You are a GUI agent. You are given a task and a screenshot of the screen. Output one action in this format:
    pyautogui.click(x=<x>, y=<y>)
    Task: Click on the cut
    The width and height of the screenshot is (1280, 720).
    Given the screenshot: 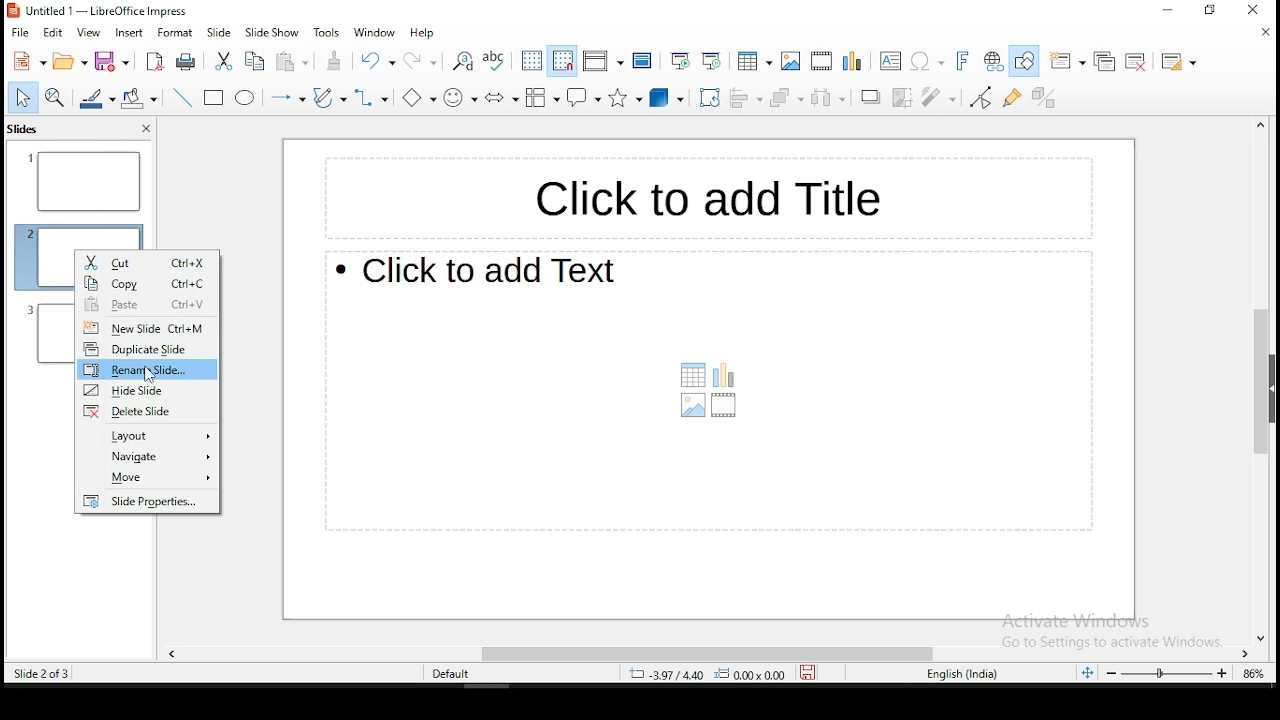 What is the action you would take?
    pyautogui.click(x=224, y=60)
    